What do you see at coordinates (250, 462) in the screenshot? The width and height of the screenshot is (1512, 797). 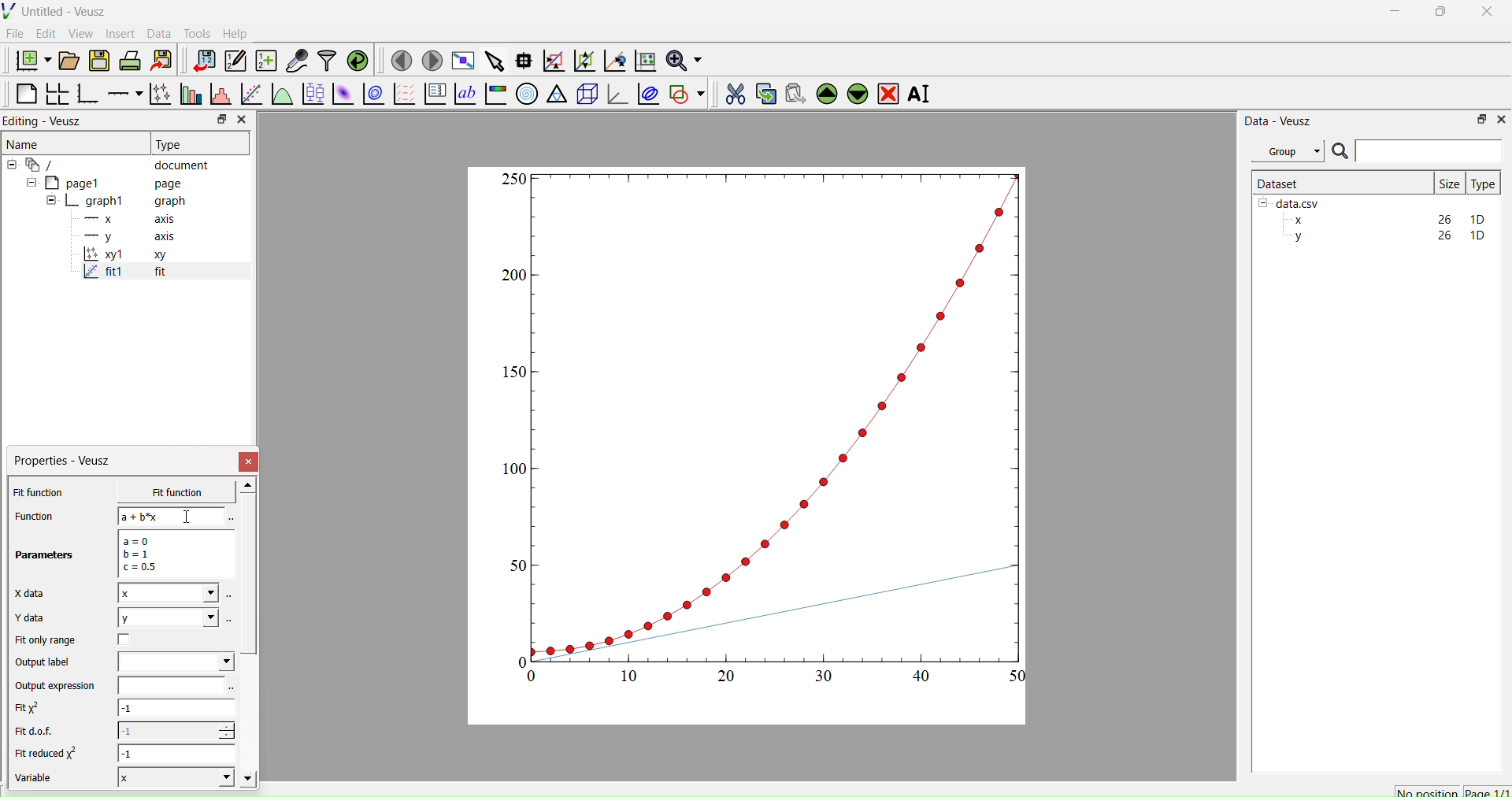 I see `Close` at bounding box center [250, 462].